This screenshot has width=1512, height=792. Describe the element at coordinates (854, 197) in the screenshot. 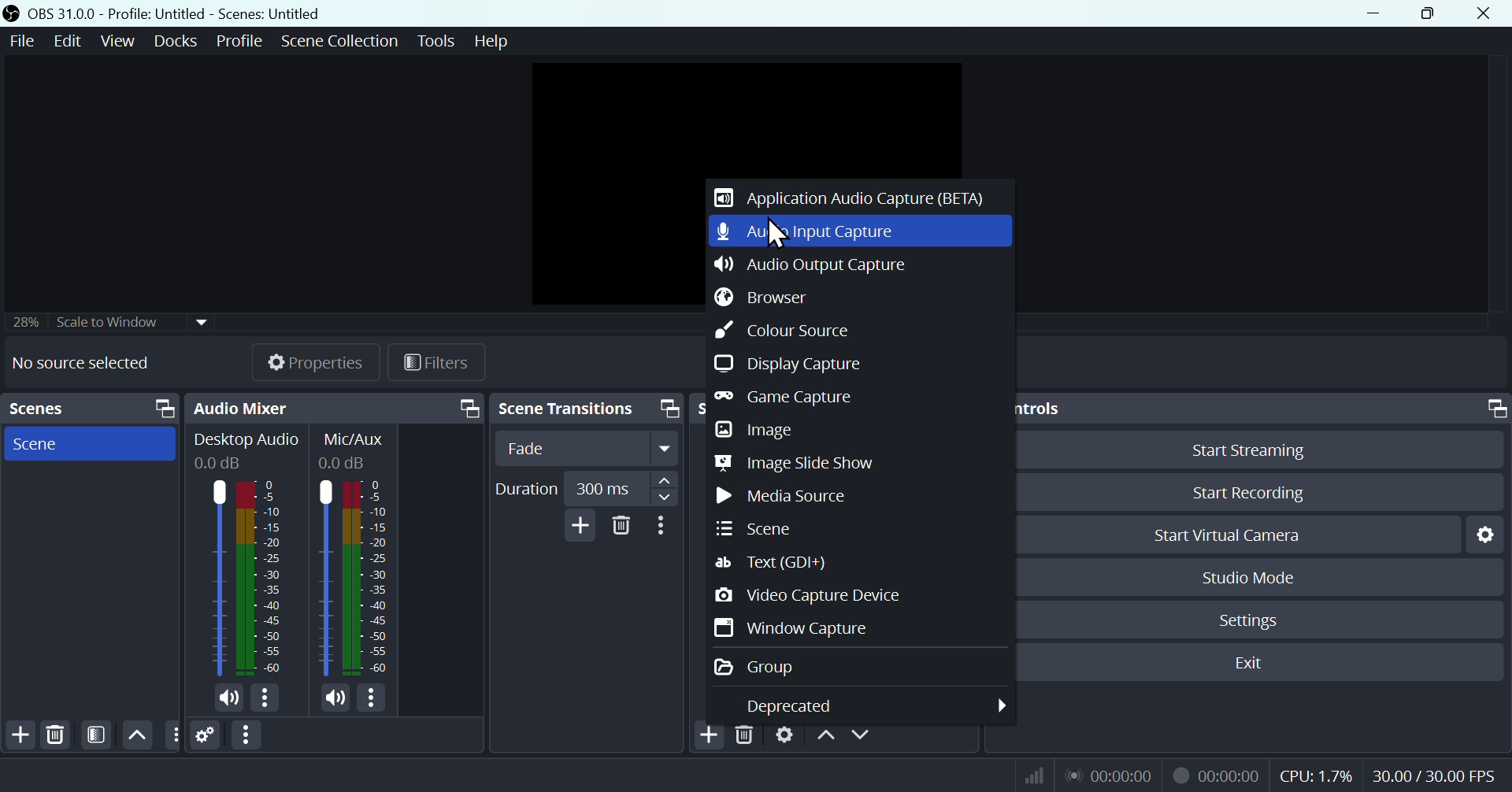

I see `Application audio capture` at that location.